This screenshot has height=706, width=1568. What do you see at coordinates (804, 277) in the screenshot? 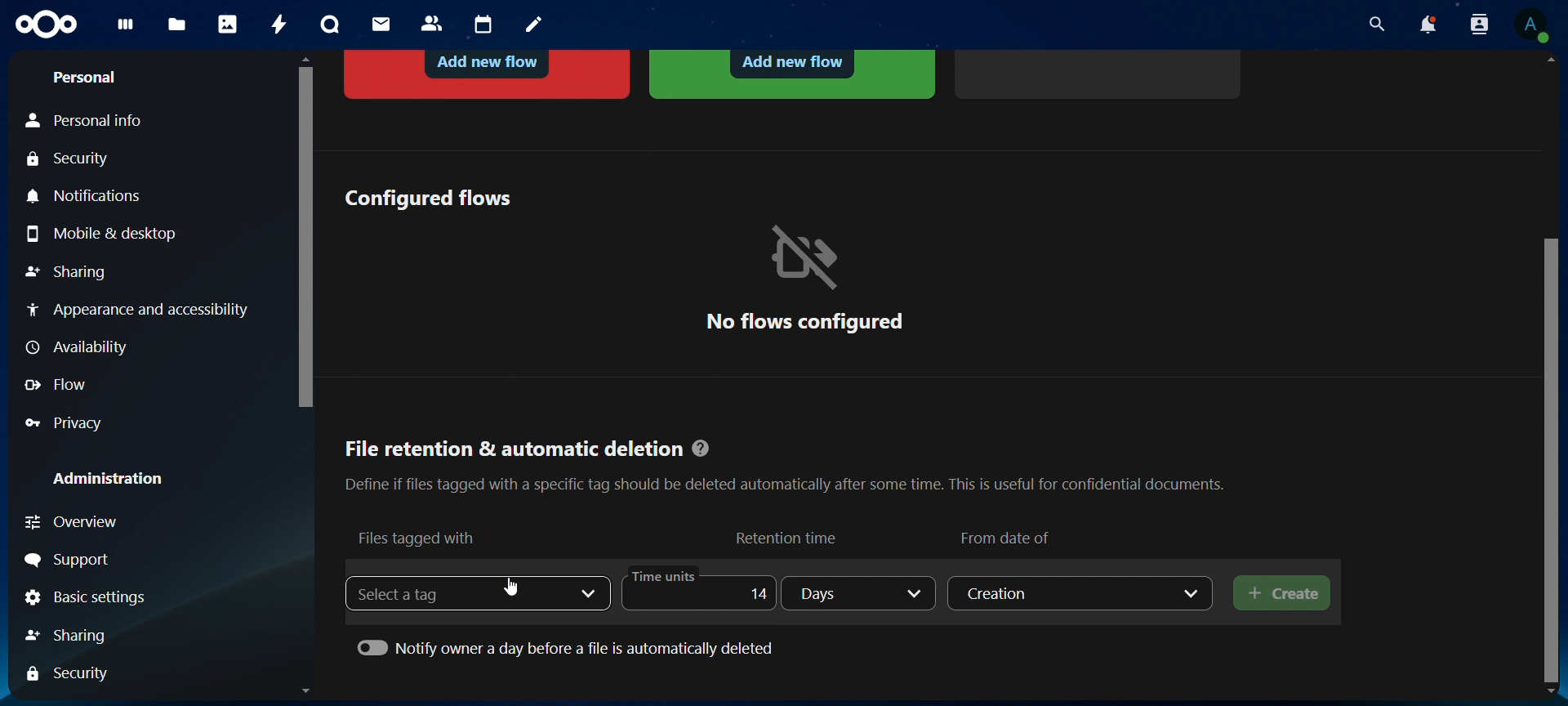
I see `no flows configured` at bounding box center [804, 277].